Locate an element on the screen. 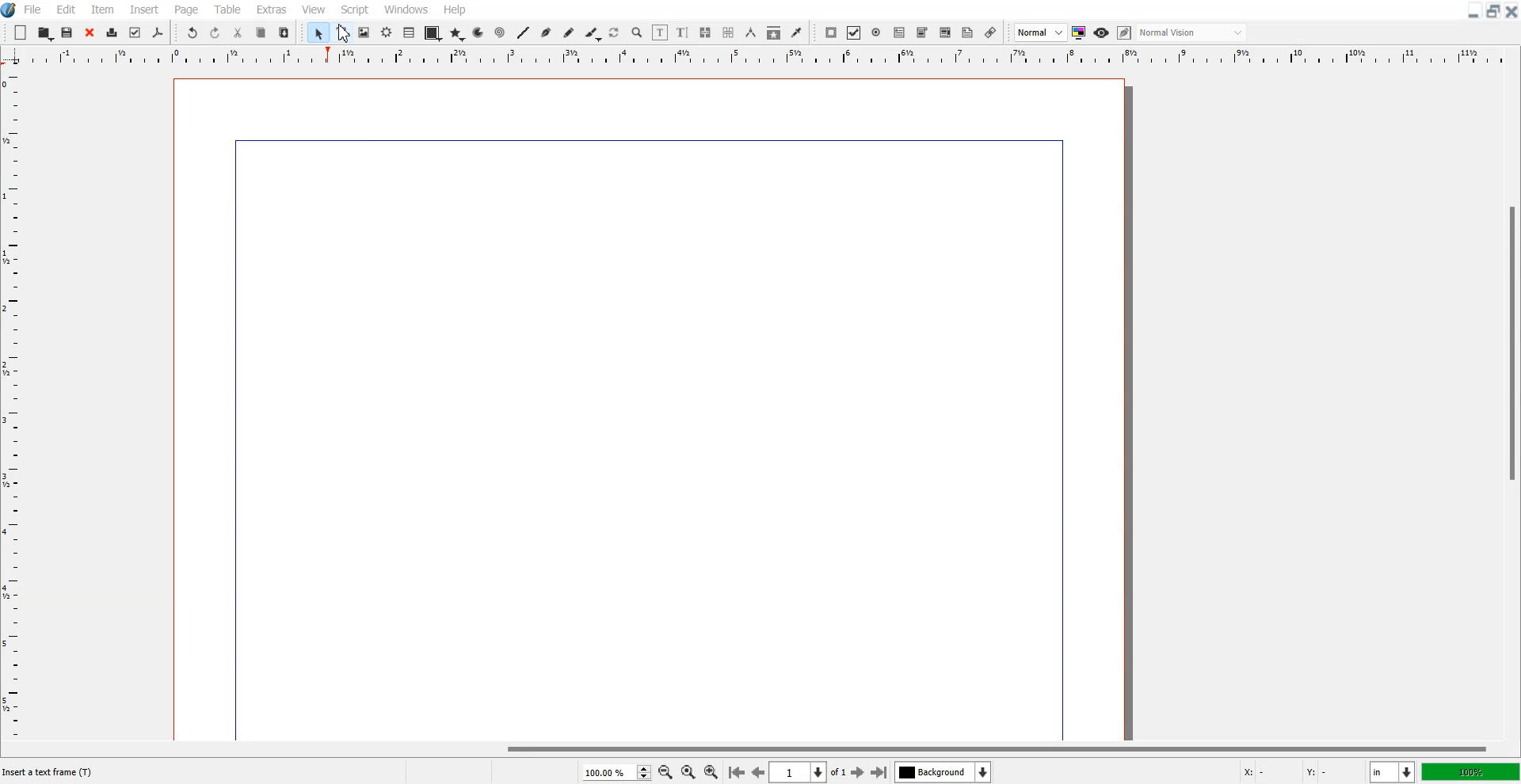 The image size is (1521, 784). Horizontal Scale is located at coordinates (778, 57).